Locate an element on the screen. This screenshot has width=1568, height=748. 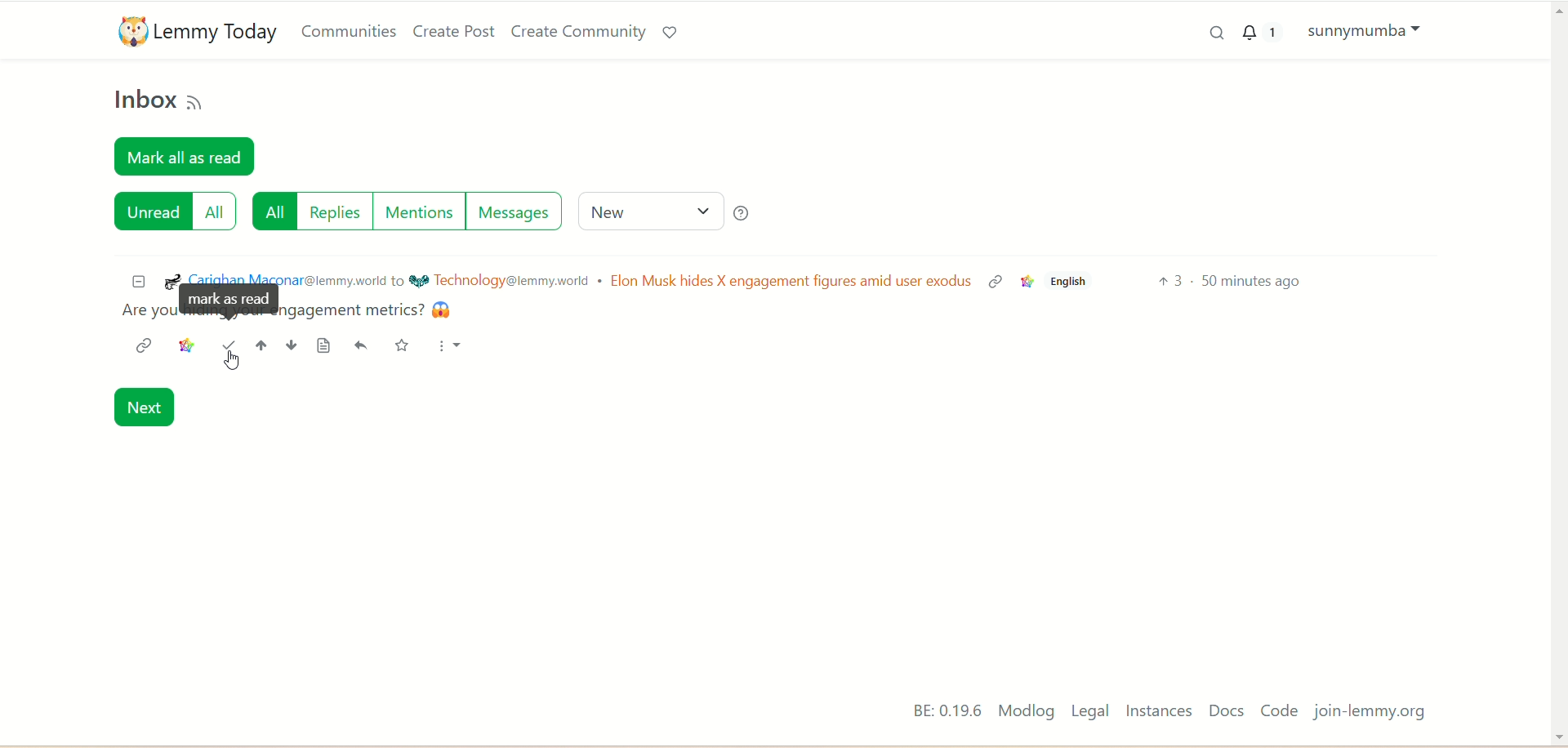
sunnymumba(account) is located at coordinates (1369, 33).